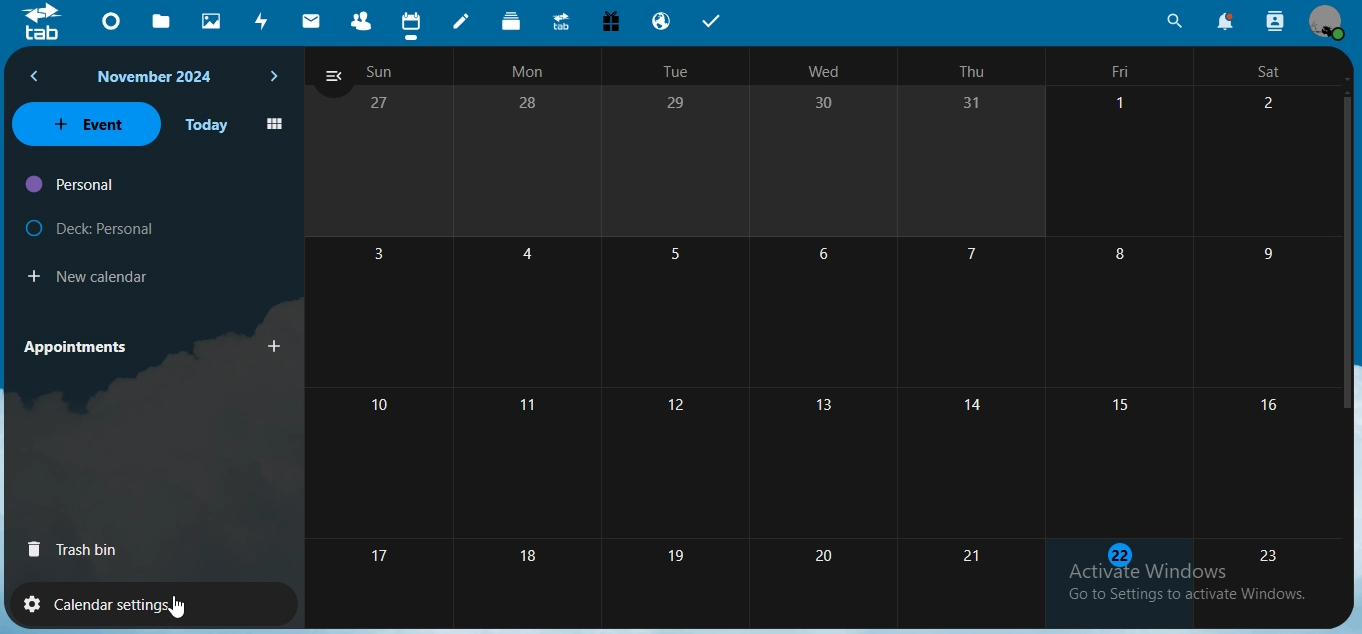 Image resolution: width=1362 pixels, height=634 pixels. I want to click on grid view, so click(274, 125).